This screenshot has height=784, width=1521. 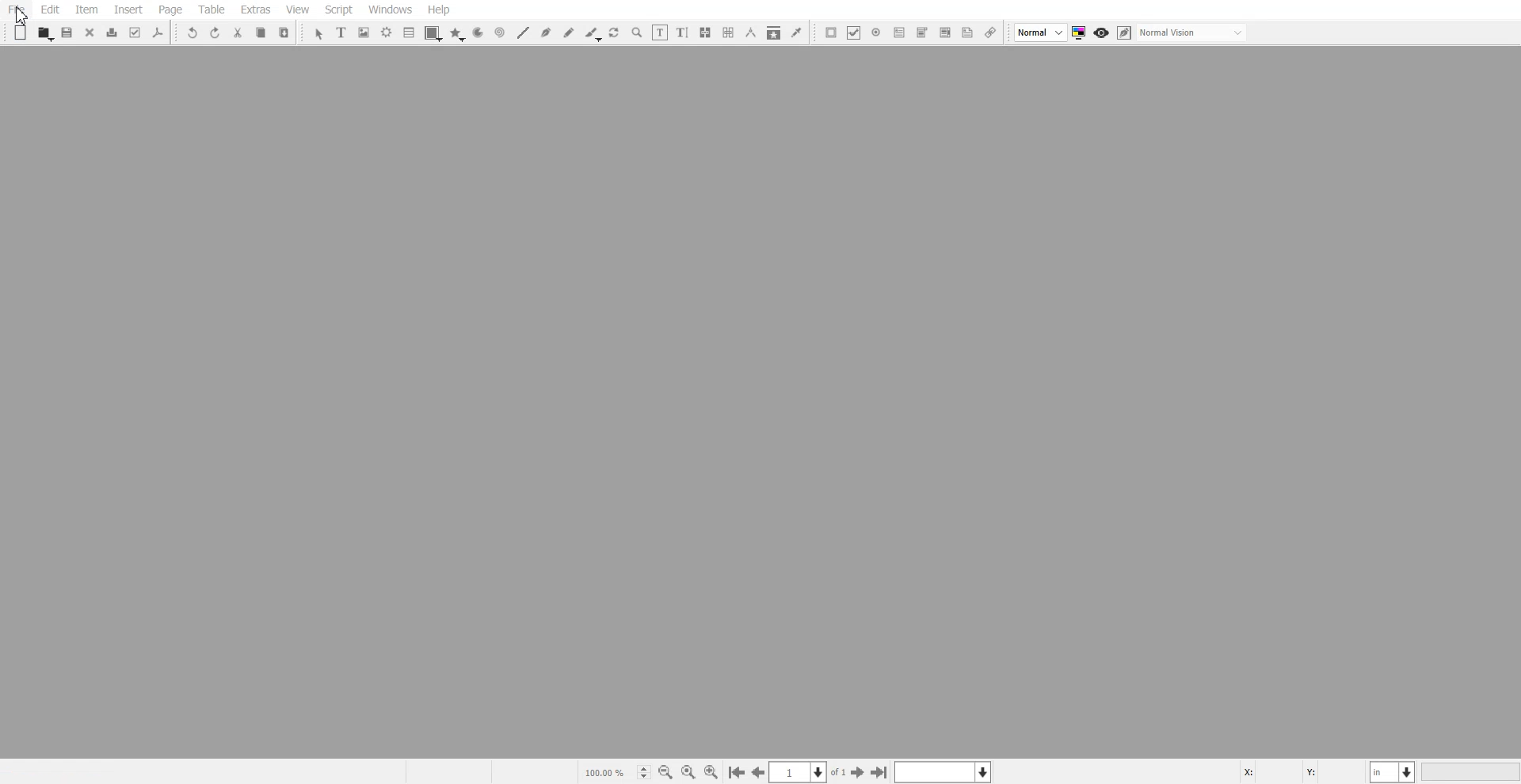 What do you see at coordinates (921, 32) in the screenshot?
I see `PDF Combo Box` at bounding box center [921, 32].